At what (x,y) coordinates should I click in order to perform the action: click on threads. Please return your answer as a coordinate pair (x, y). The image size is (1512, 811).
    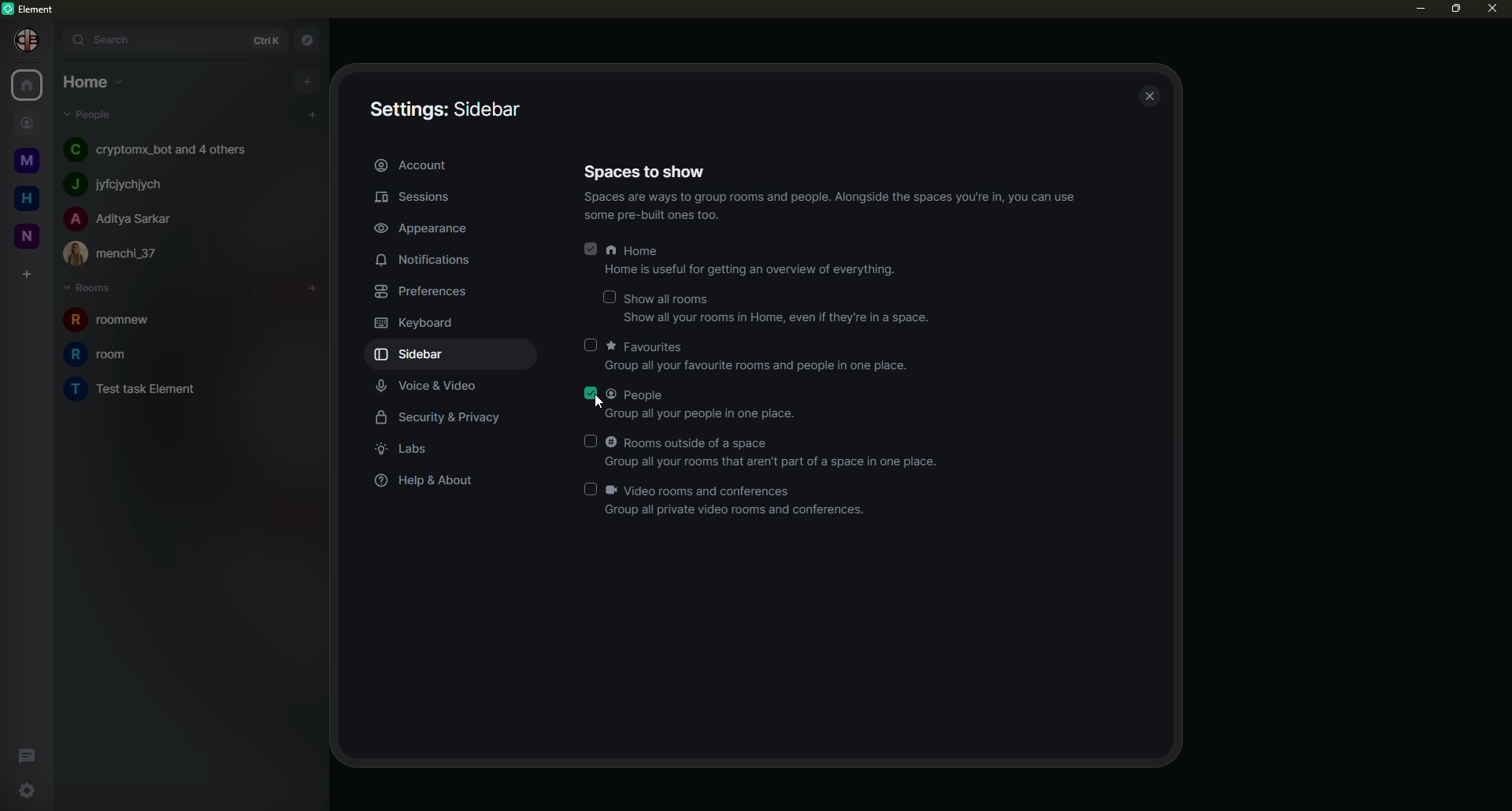
    Looking at the image, I should click on (28, 754).